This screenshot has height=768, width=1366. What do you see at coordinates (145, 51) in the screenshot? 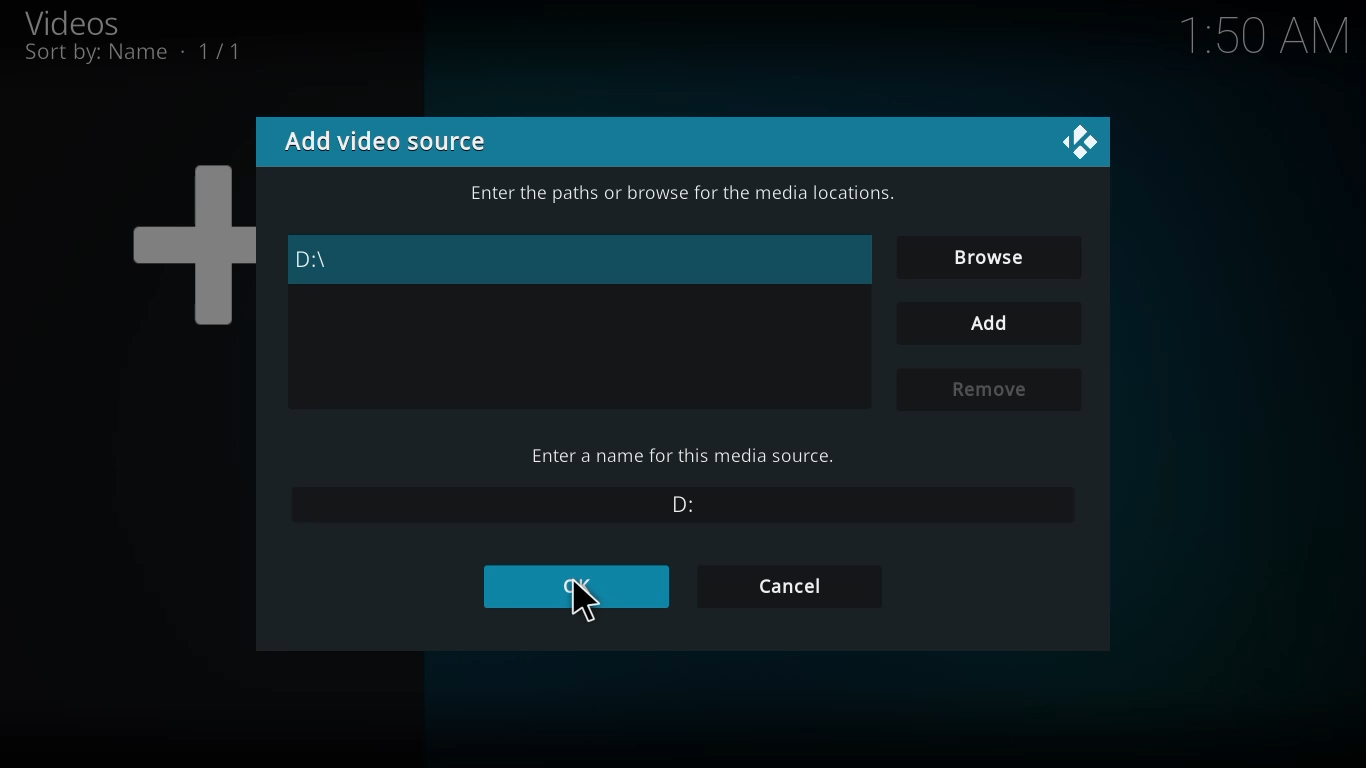
I see `sort by` at bounding box center [145, 51].